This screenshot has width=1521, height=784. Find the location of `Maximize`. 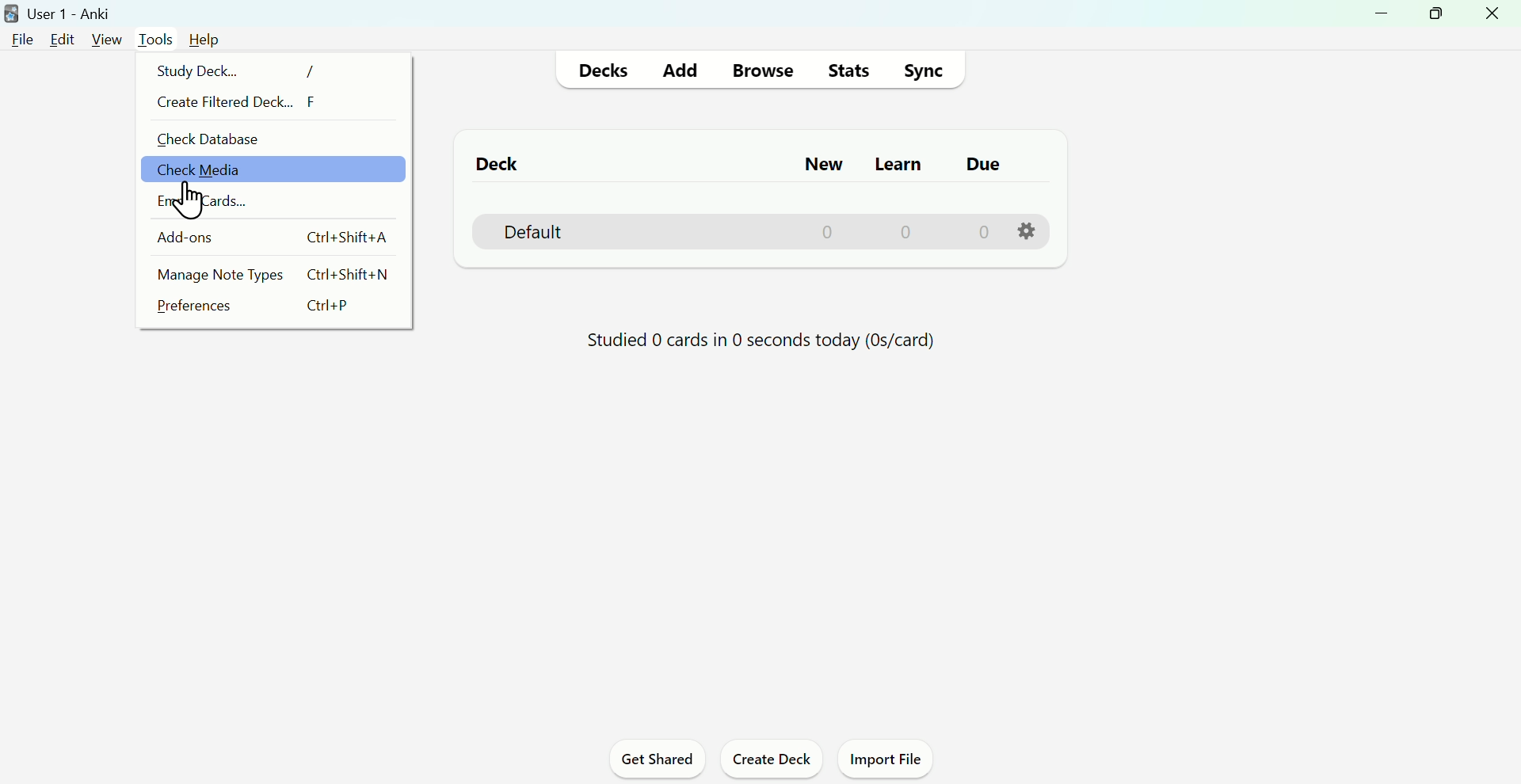

Maximize is located at coordinates (1439, 17).